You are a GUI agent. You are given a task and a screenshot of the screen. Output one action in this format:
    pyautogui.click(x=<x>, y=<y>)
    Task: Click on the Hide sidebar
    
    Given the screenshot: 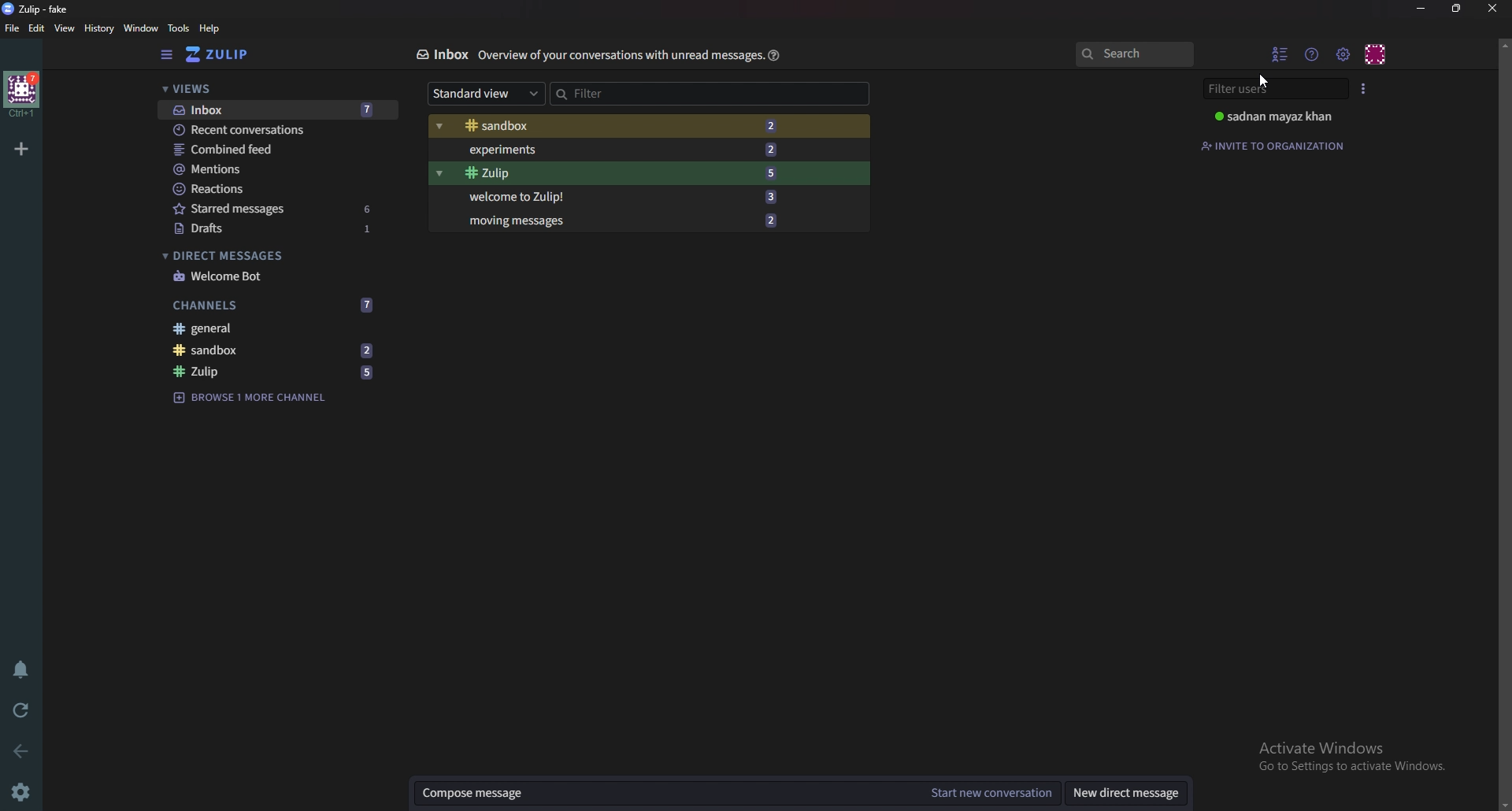 What is the action you would take?
    pyautogui.click(x=169, y=55)
    